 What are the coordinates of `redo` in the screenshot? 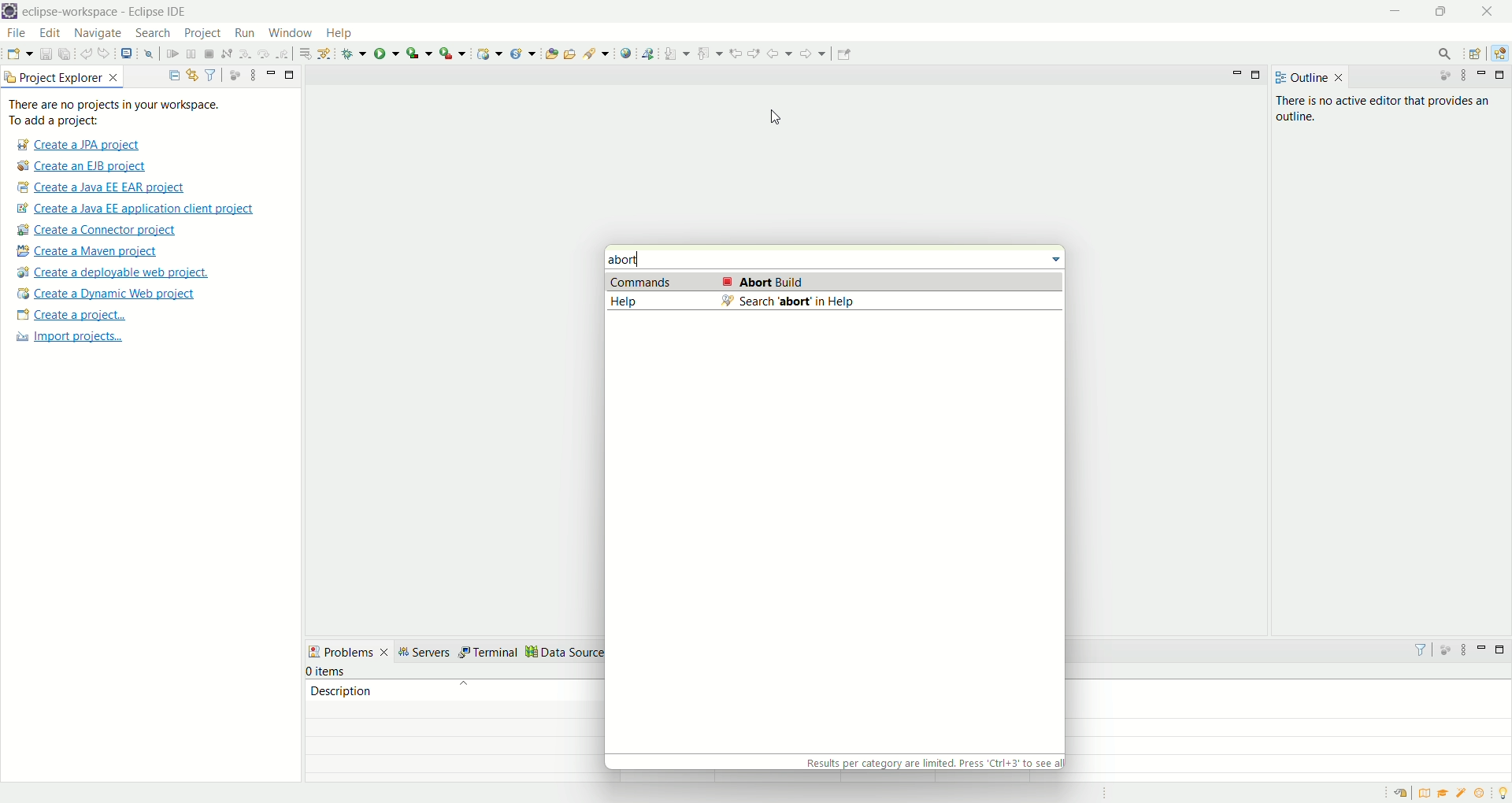 It's located at (104, 53).